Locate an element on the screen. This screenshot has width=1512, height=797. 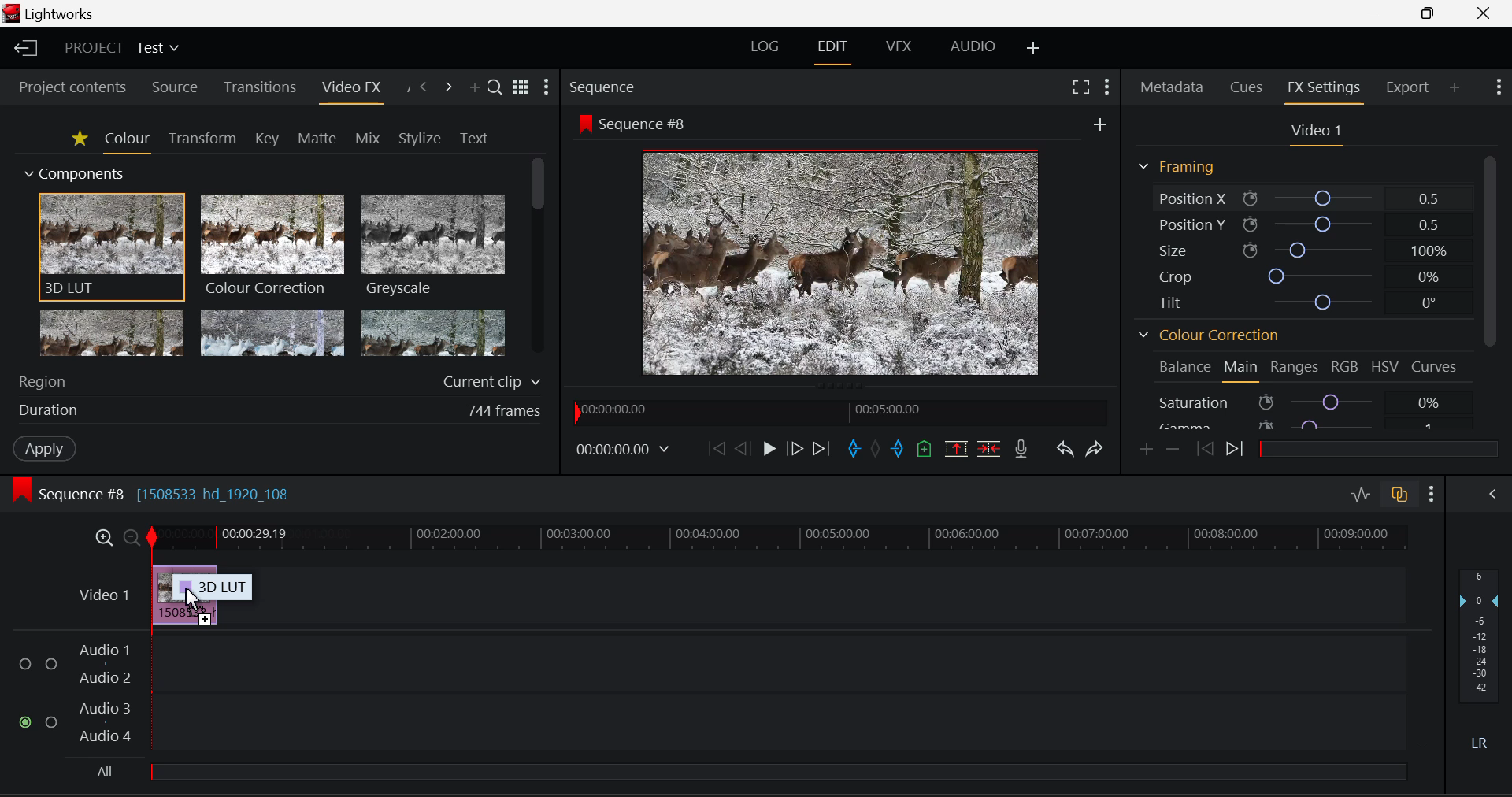
Metadata is located at coordinates (1170, 87).